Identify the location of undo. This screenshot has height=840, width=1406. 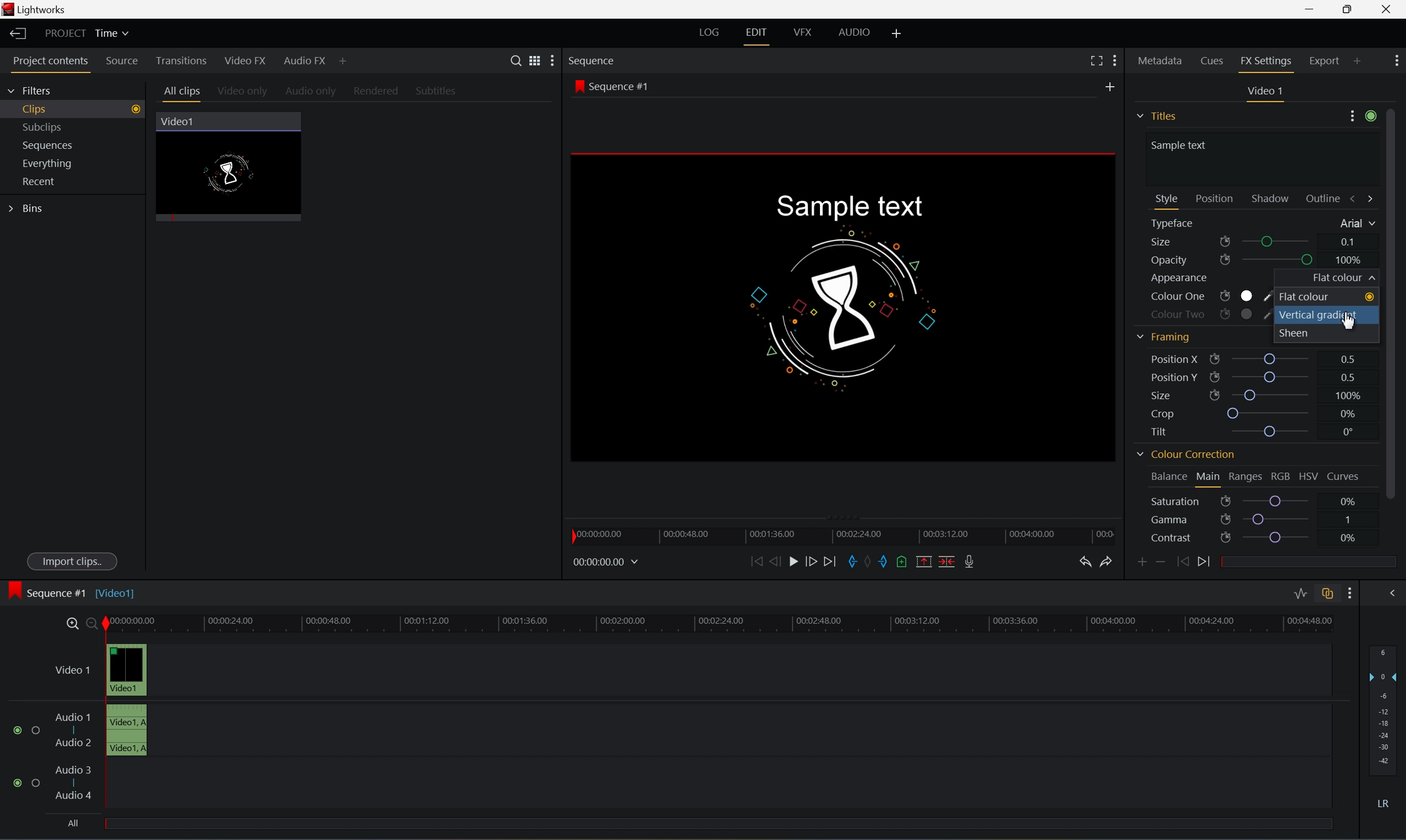
(1086, 563).